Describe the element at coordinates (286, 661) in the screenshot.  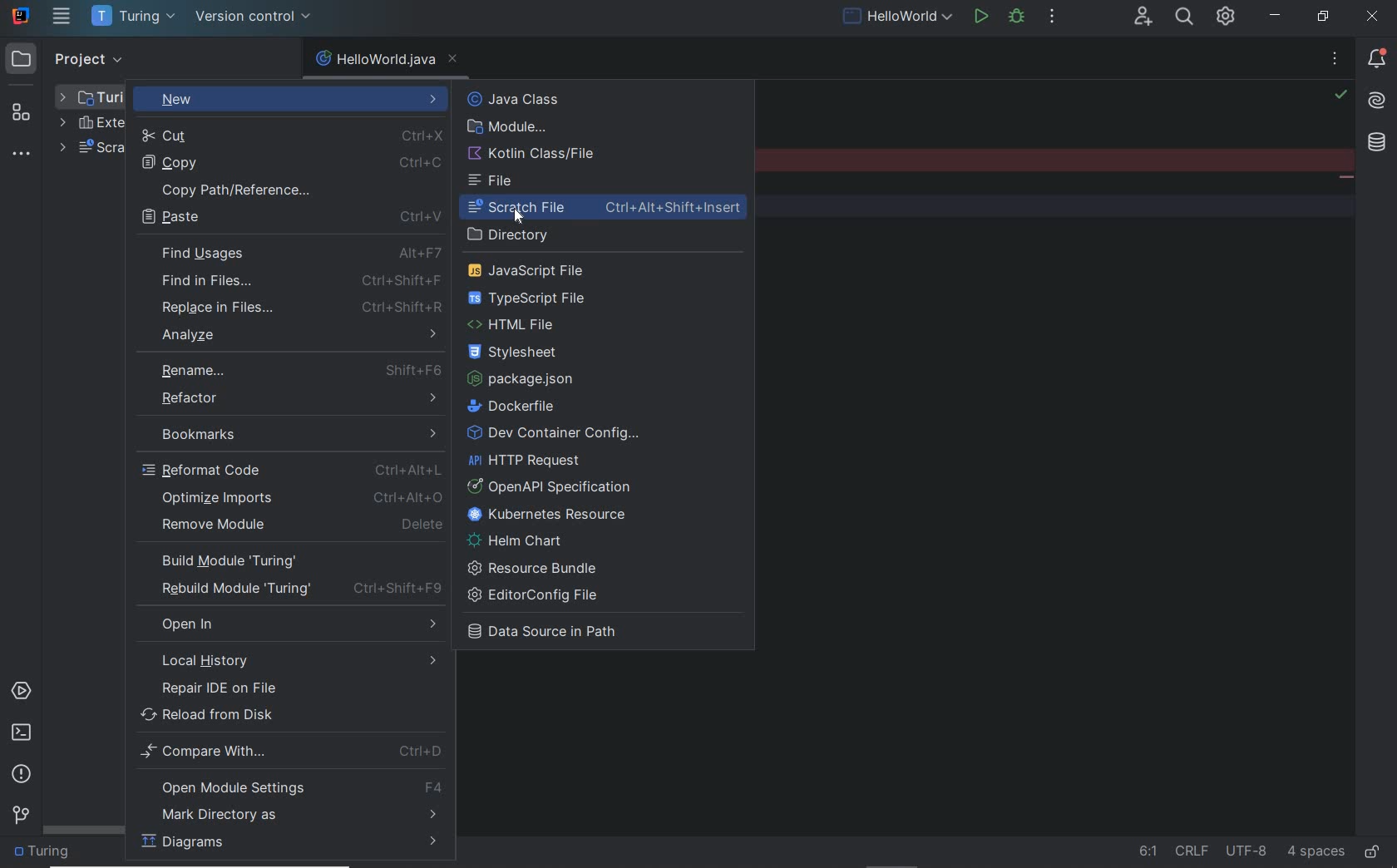
I see `local history` at that location.